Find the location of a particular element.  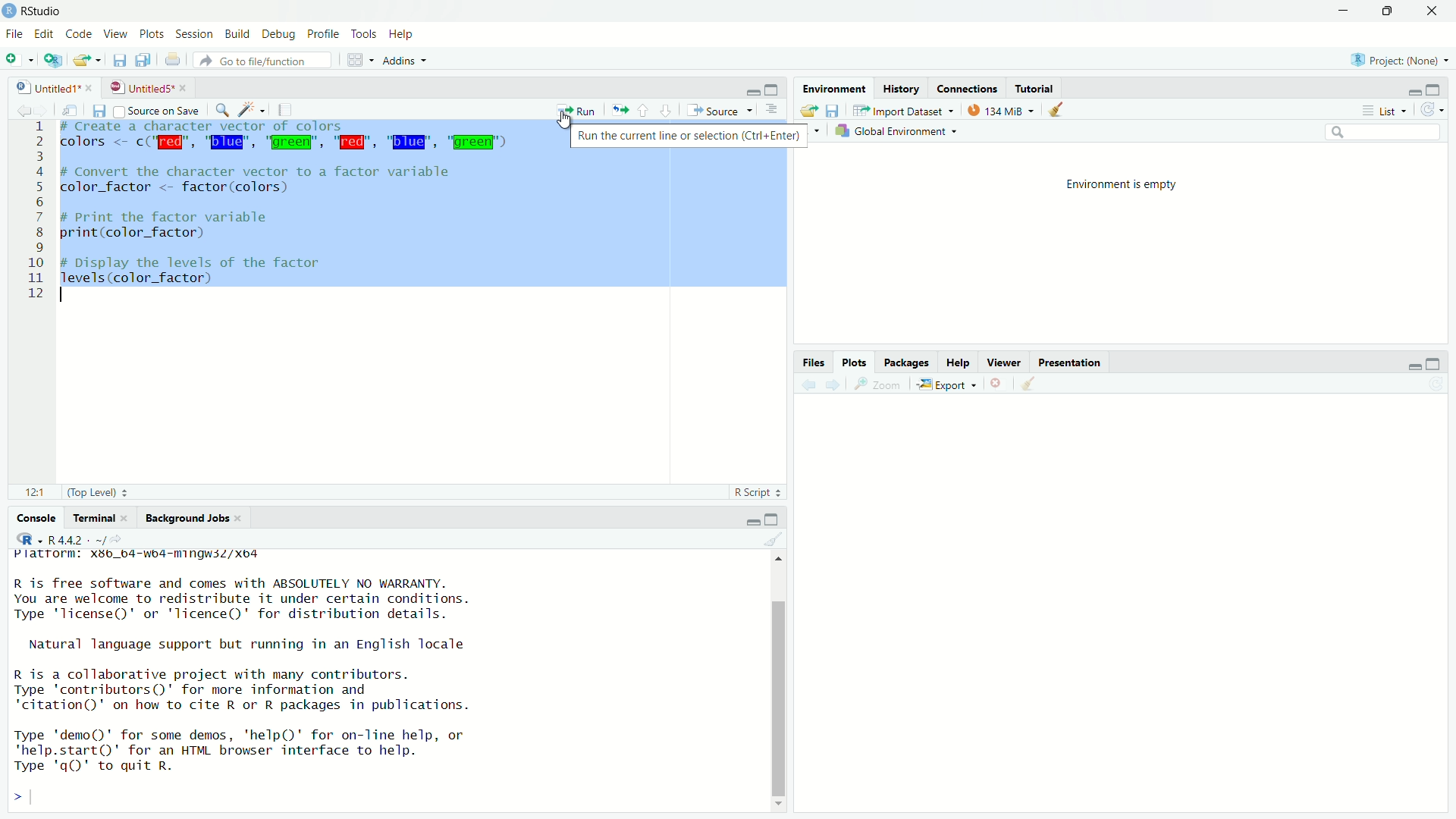

R is a collaborative project with many contributors.
Type 'contributors()' for more information and
"citation()' on how to cite R or R packages in publications. is located at coordinates (264, 688).